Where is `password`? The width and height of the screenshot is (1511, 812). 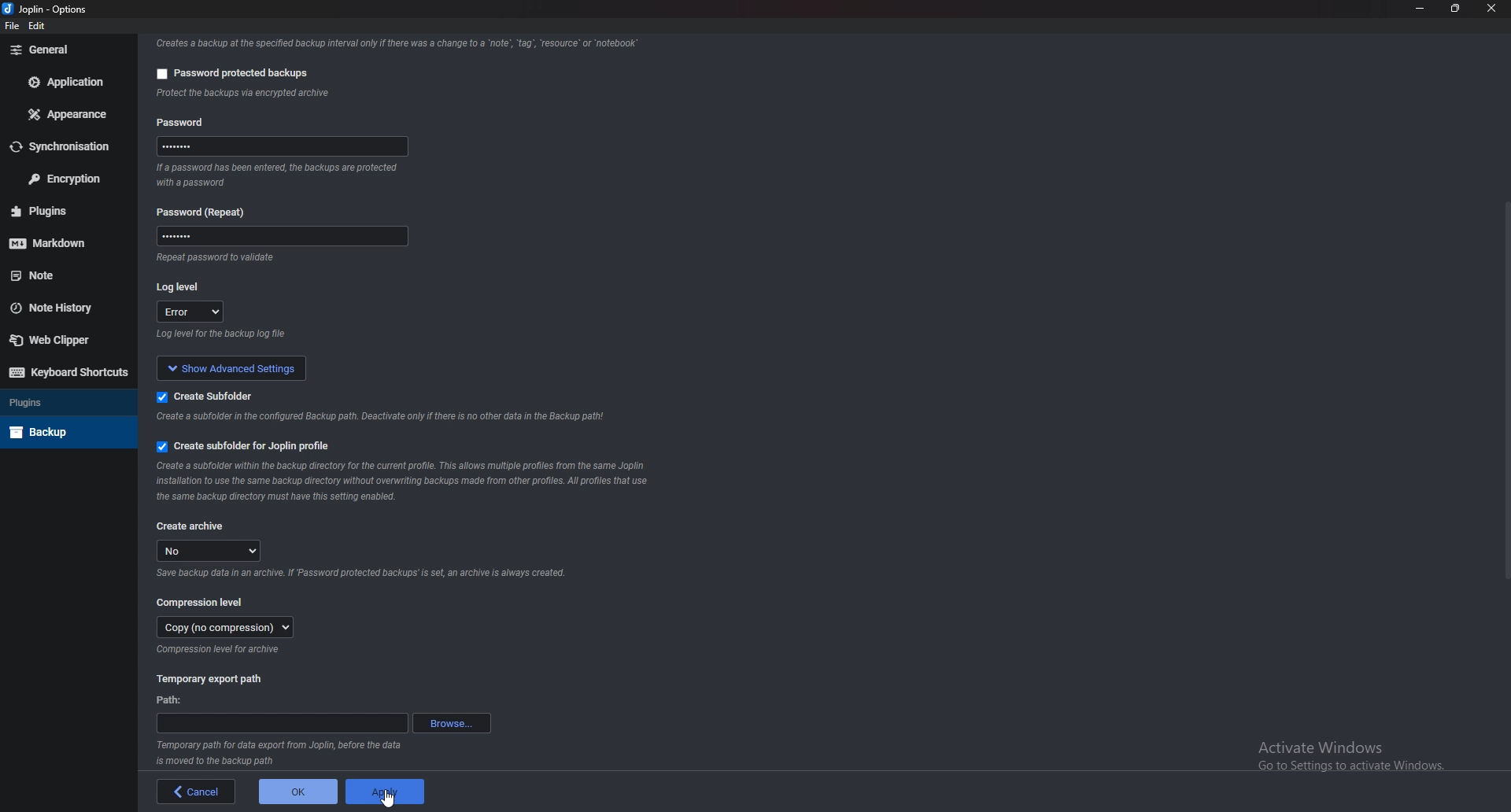 password is located at coordinates (277, 238).